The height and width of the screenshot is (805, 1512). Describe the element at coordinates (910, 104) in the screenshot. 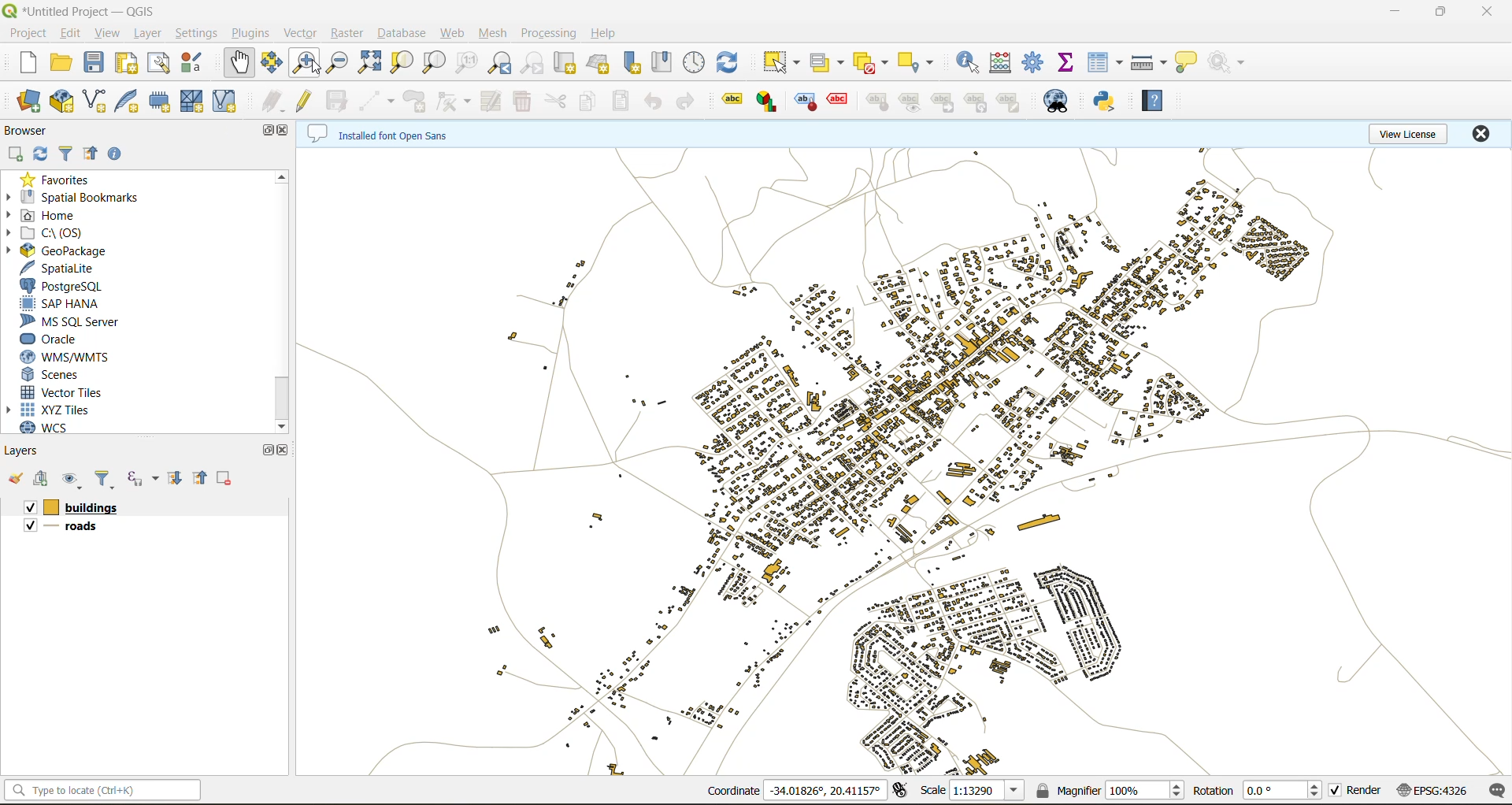

I see `Toggle Label Visibility` at that location.